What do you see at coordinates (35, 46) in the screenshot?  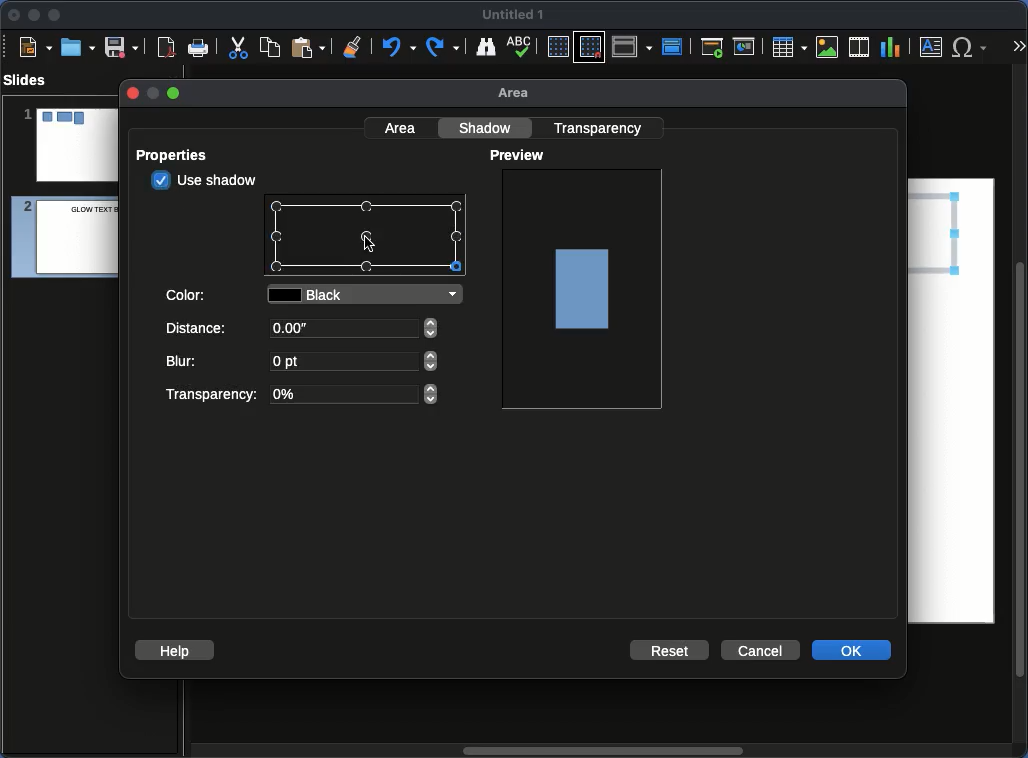 I see `New` at bounding box center [35, 46].